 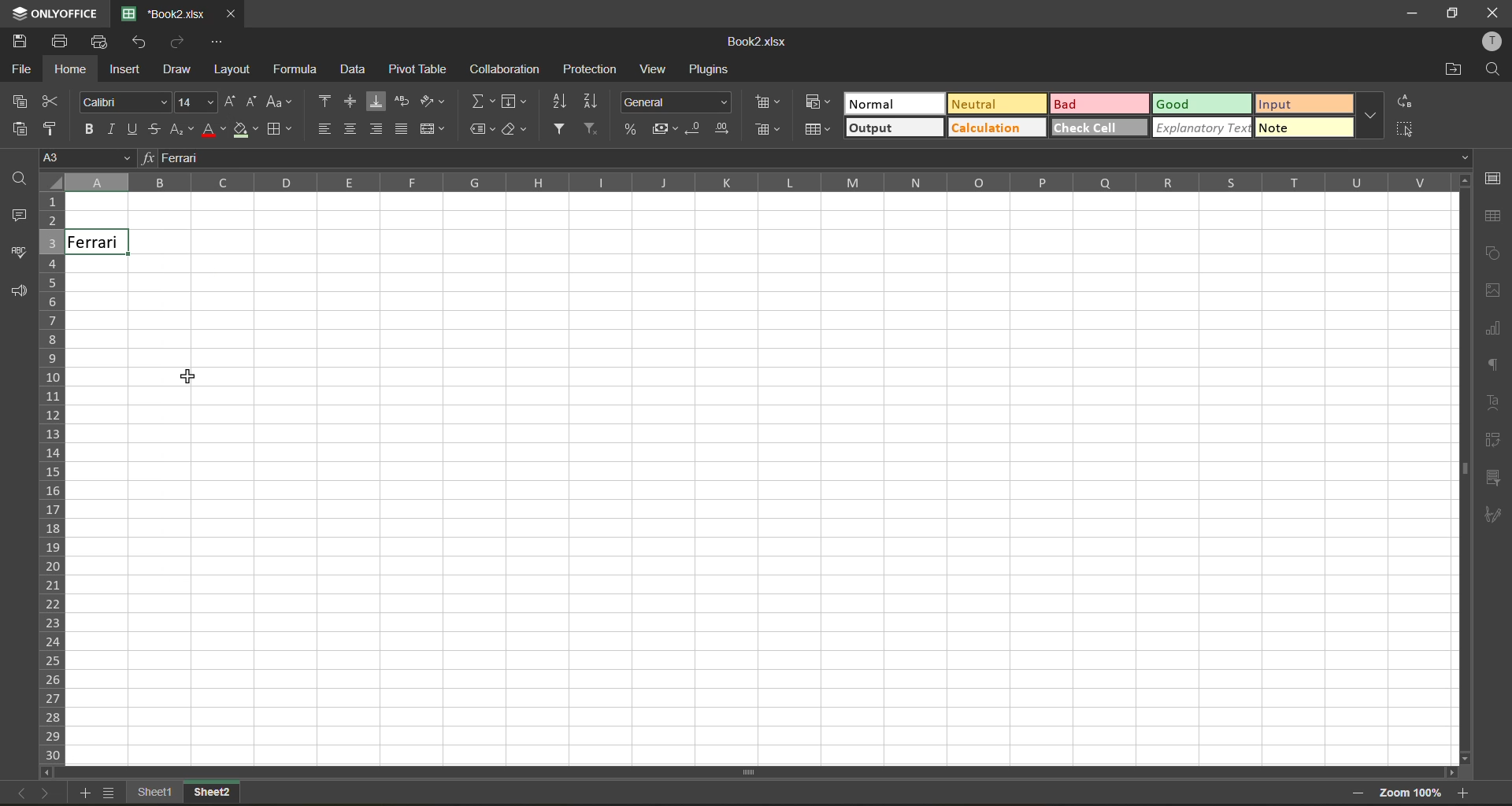 What do you see at coordinates (215, 44) in the screenshot?
I see `customize quick access toolbar` at bounding box center [215, 44].